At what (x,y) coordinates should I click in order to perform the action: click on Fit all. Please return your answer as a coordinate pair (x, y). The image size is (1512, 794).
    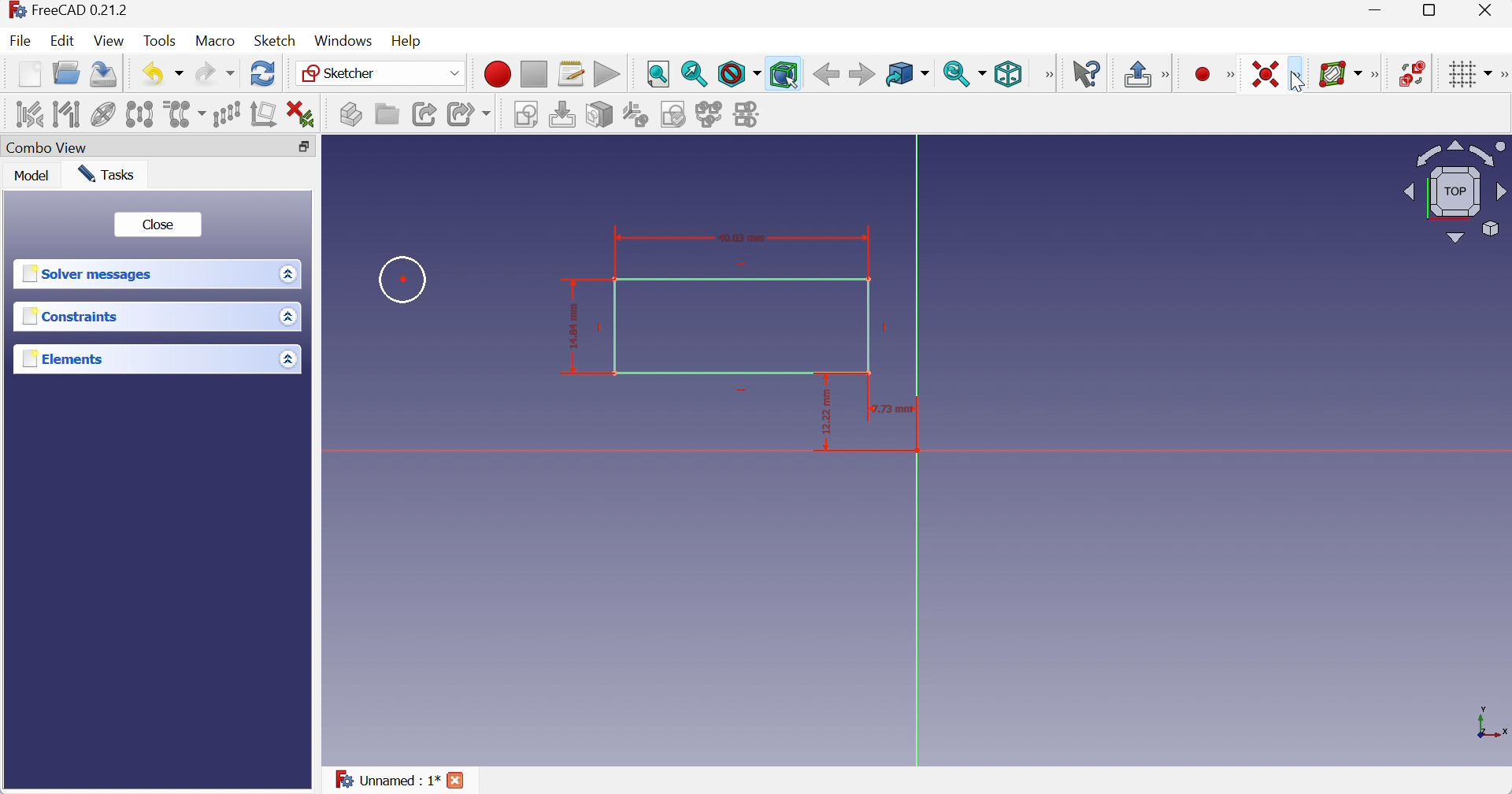
    Looking at the image, I should click on (659, 75).